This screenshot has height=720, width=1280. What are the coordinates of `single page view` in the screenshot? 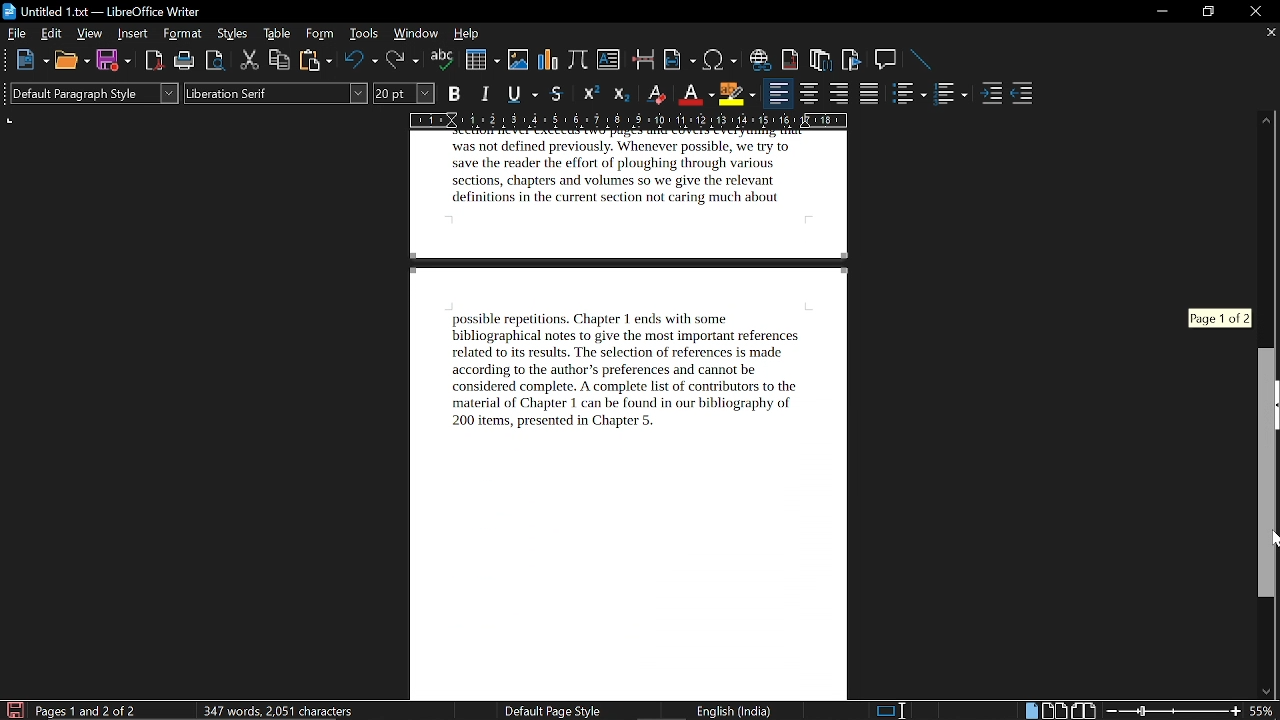 It's located at (1030, 710).